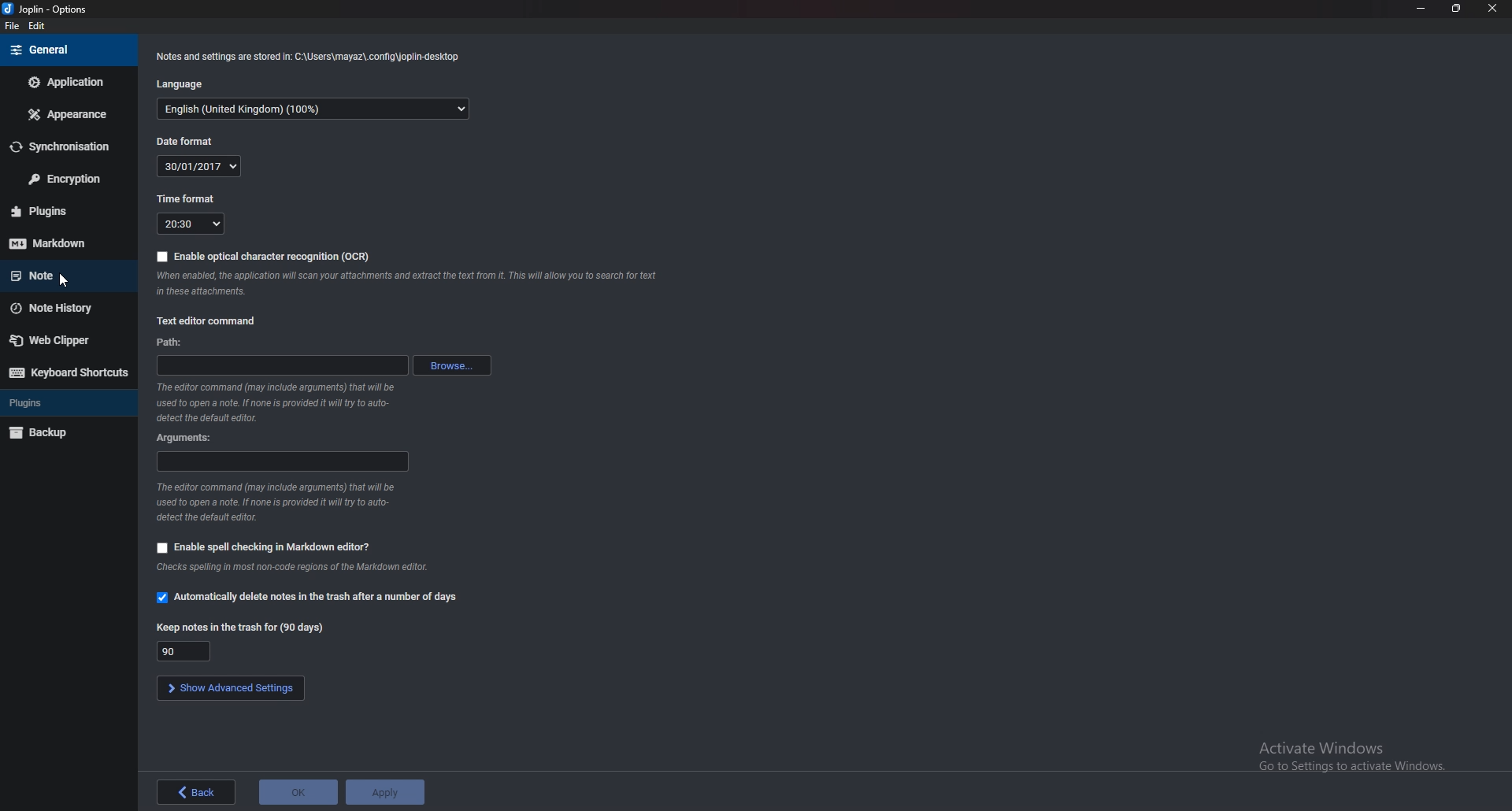 The image size is (1512, 811). I want to click on Time format, so click(187, 198).